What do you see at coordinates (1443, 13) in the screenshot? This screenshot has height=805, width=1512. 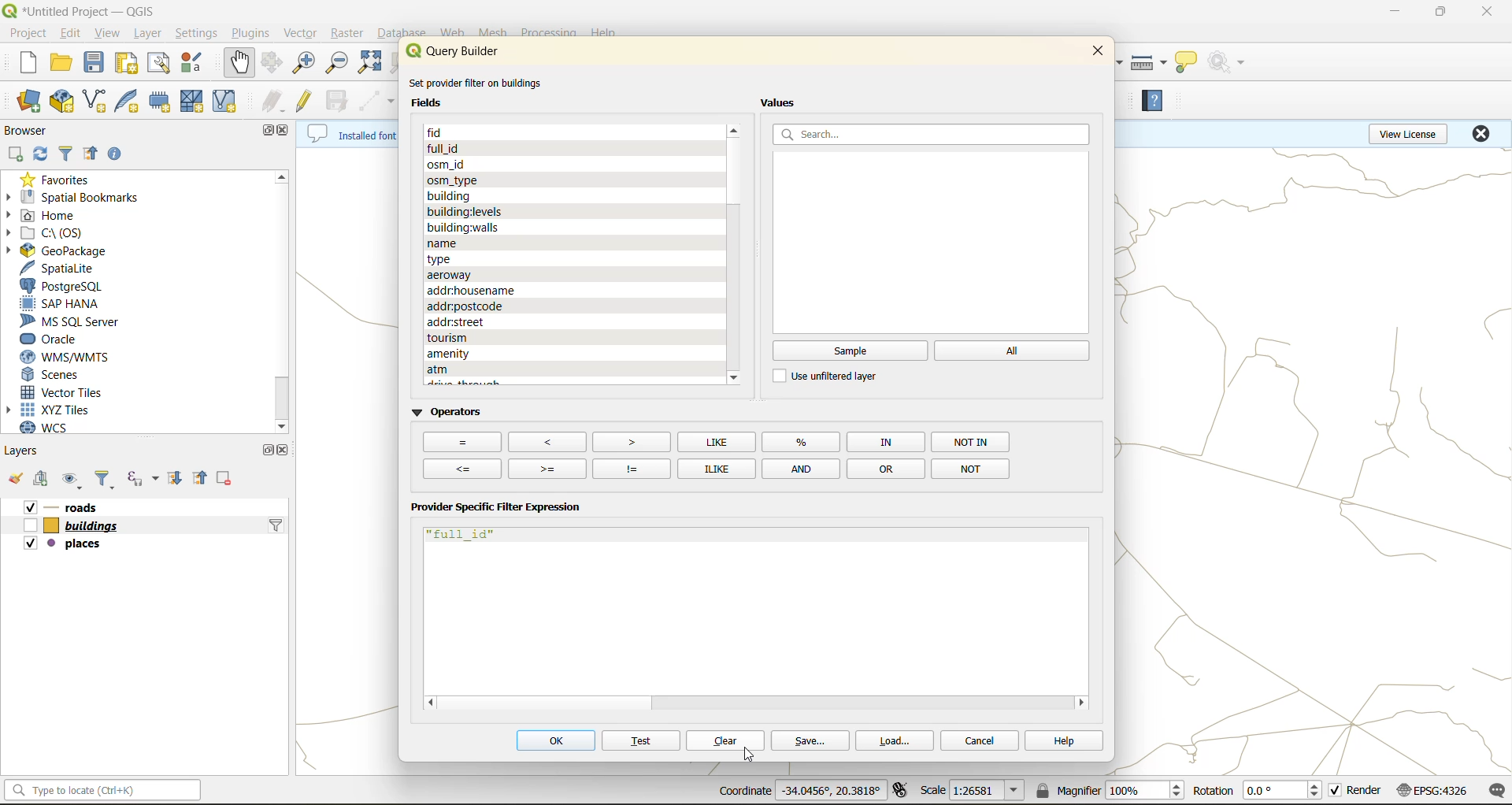 I see `maximize` at bounding box center [1443, 13].